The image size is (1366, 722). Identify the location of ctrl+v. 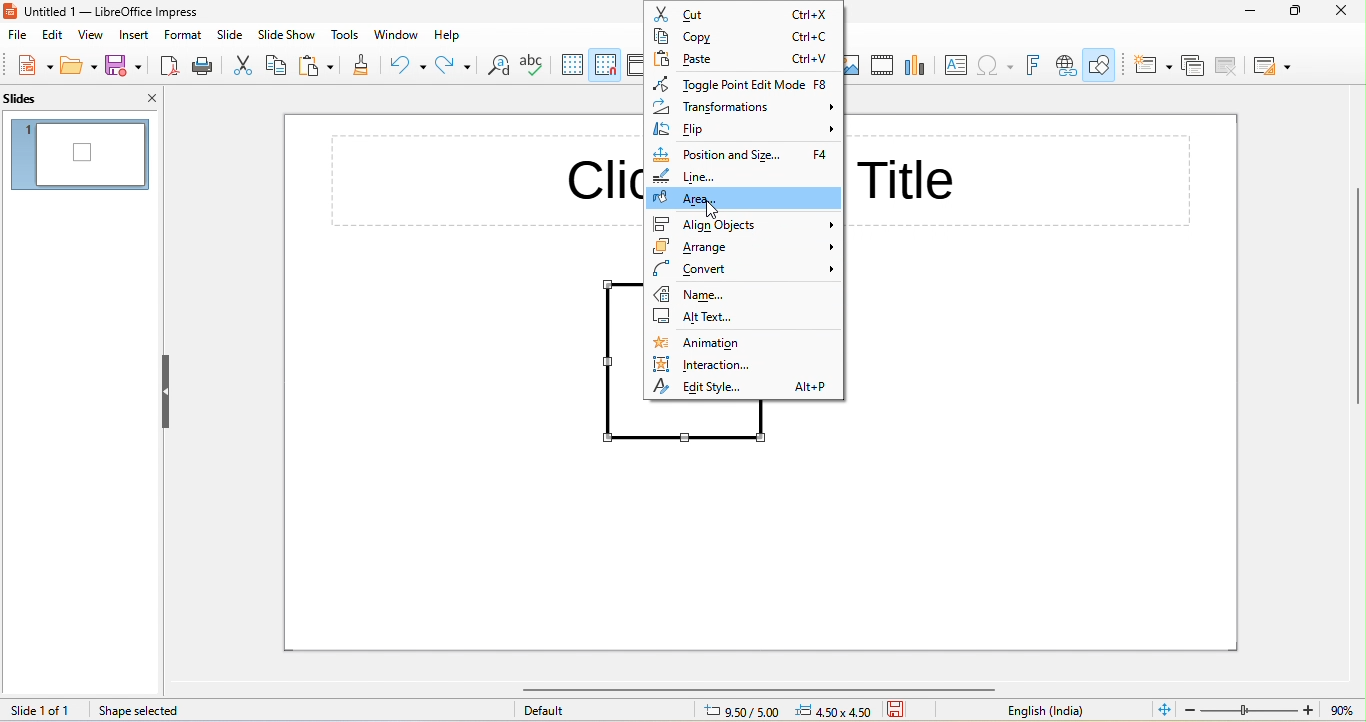
(813, 57).